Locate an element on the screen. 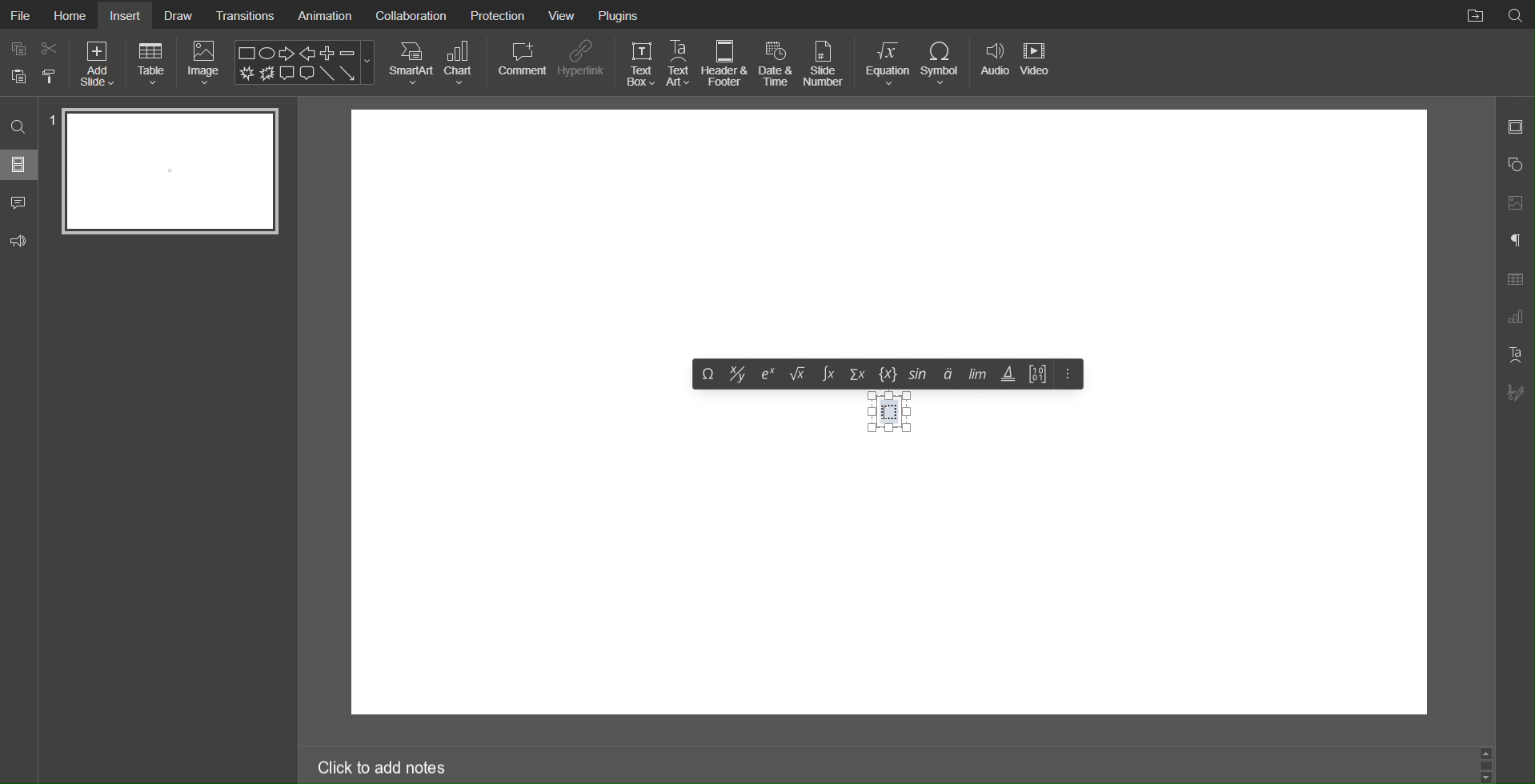 This screenshot has height=784, width=1535. Collaboration is located at coordinates (410, 14).